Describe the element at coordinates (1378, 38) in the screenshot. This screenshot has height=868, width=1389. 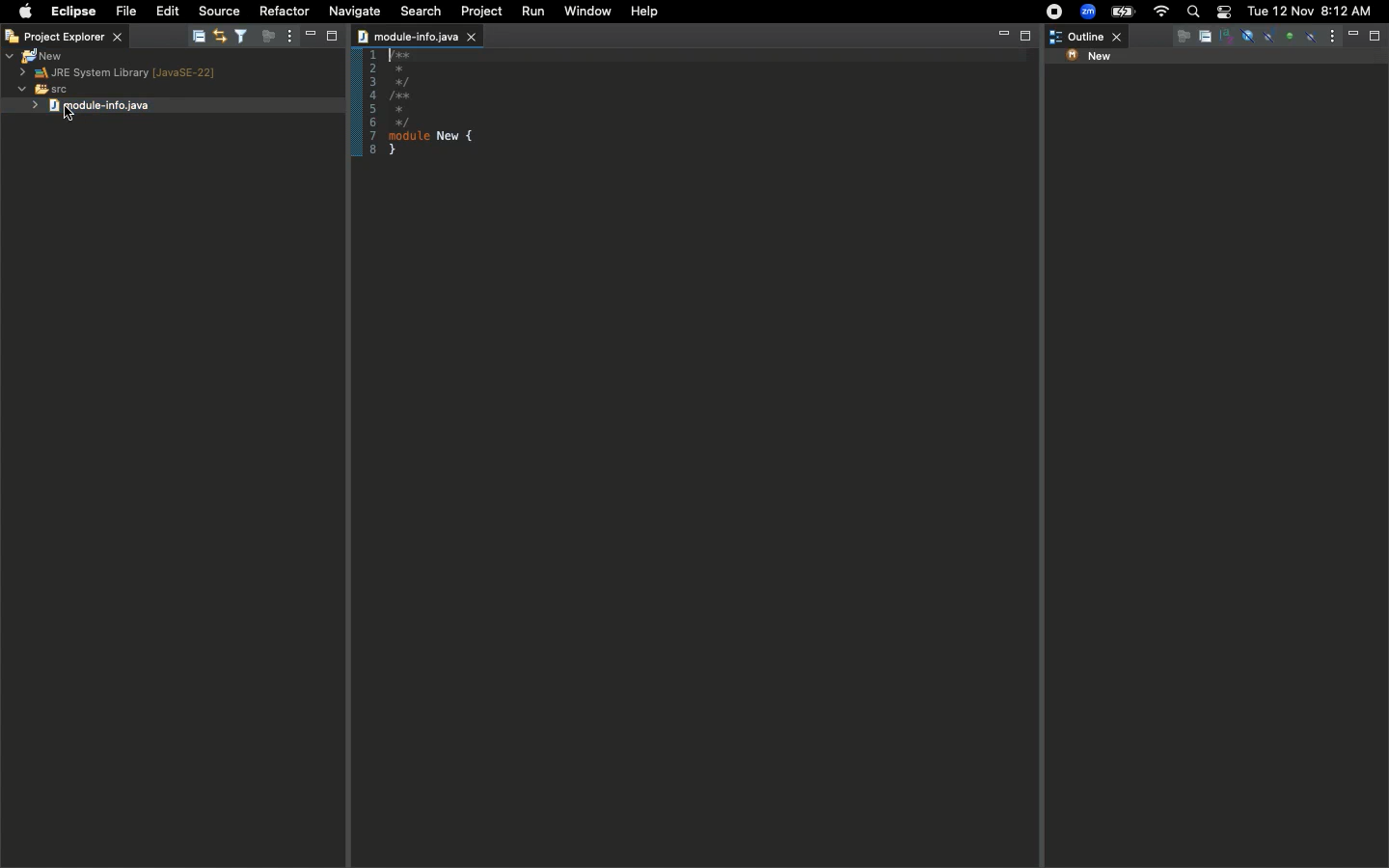
I see `Maximize` at that location.